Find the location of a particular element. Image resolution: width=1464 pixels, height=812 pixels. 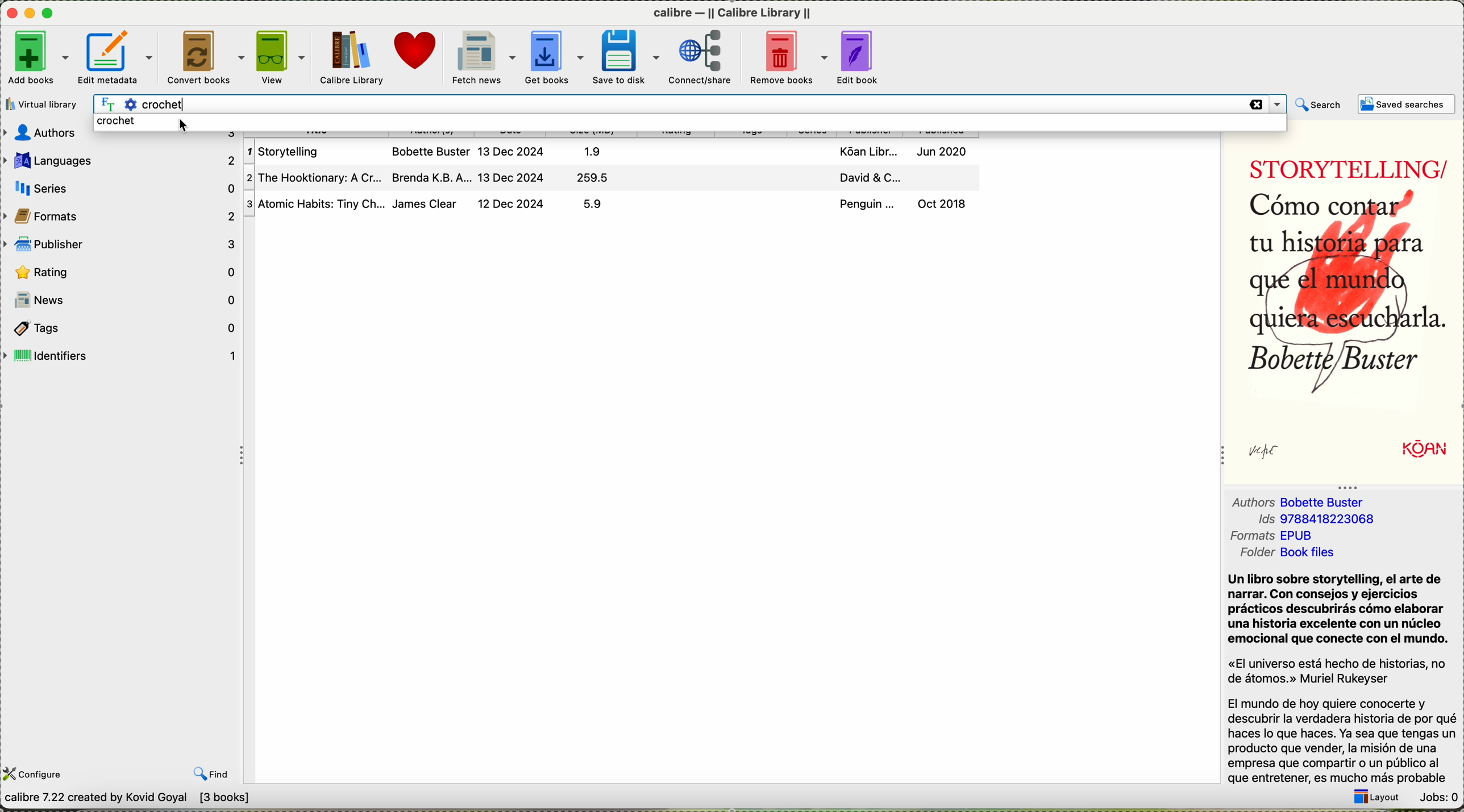

David & C is located at coordinates (864, 177).